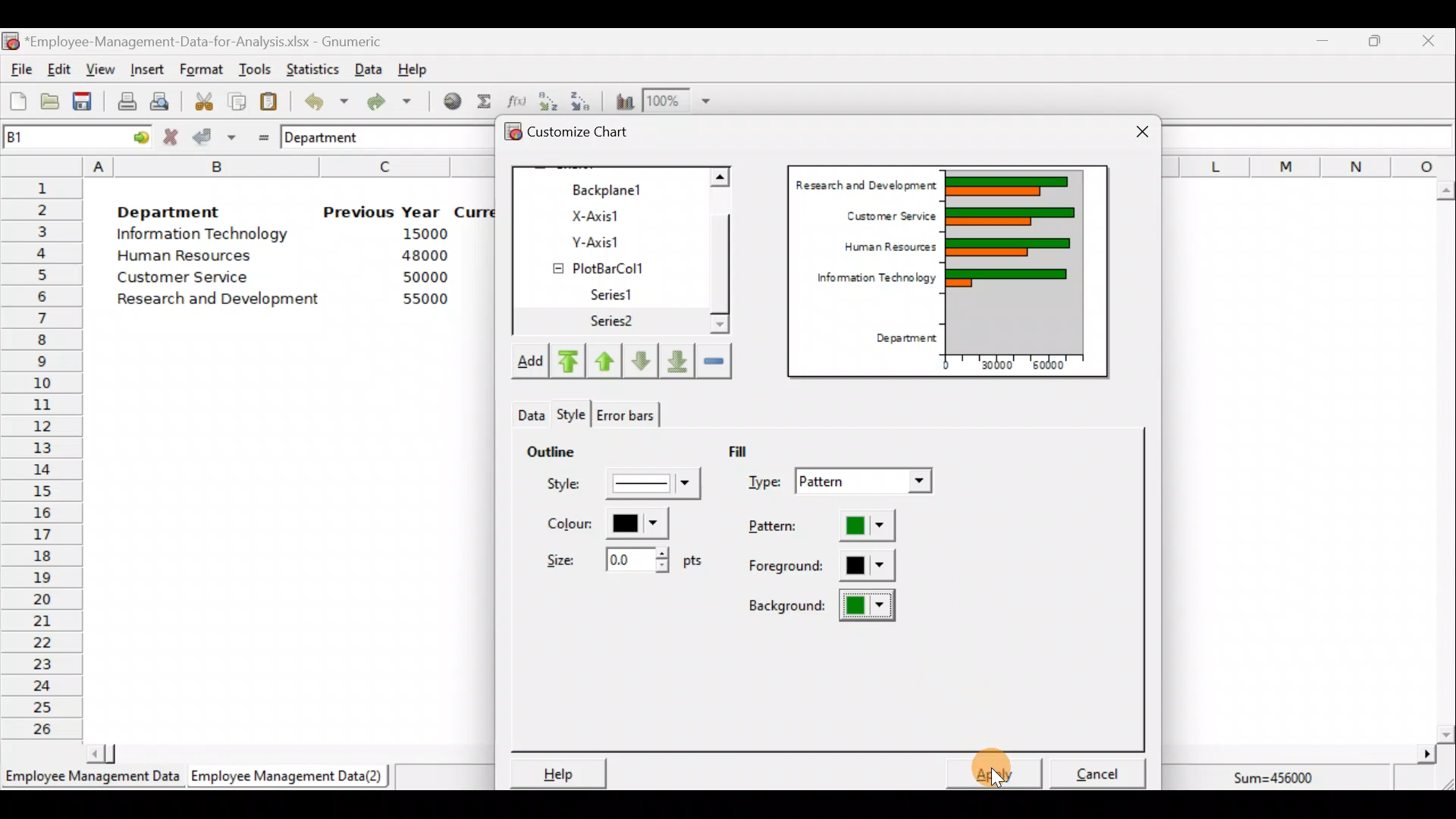  Describe the element at coordinates (369, 69) in the screenshot. I see `Data` at that location.